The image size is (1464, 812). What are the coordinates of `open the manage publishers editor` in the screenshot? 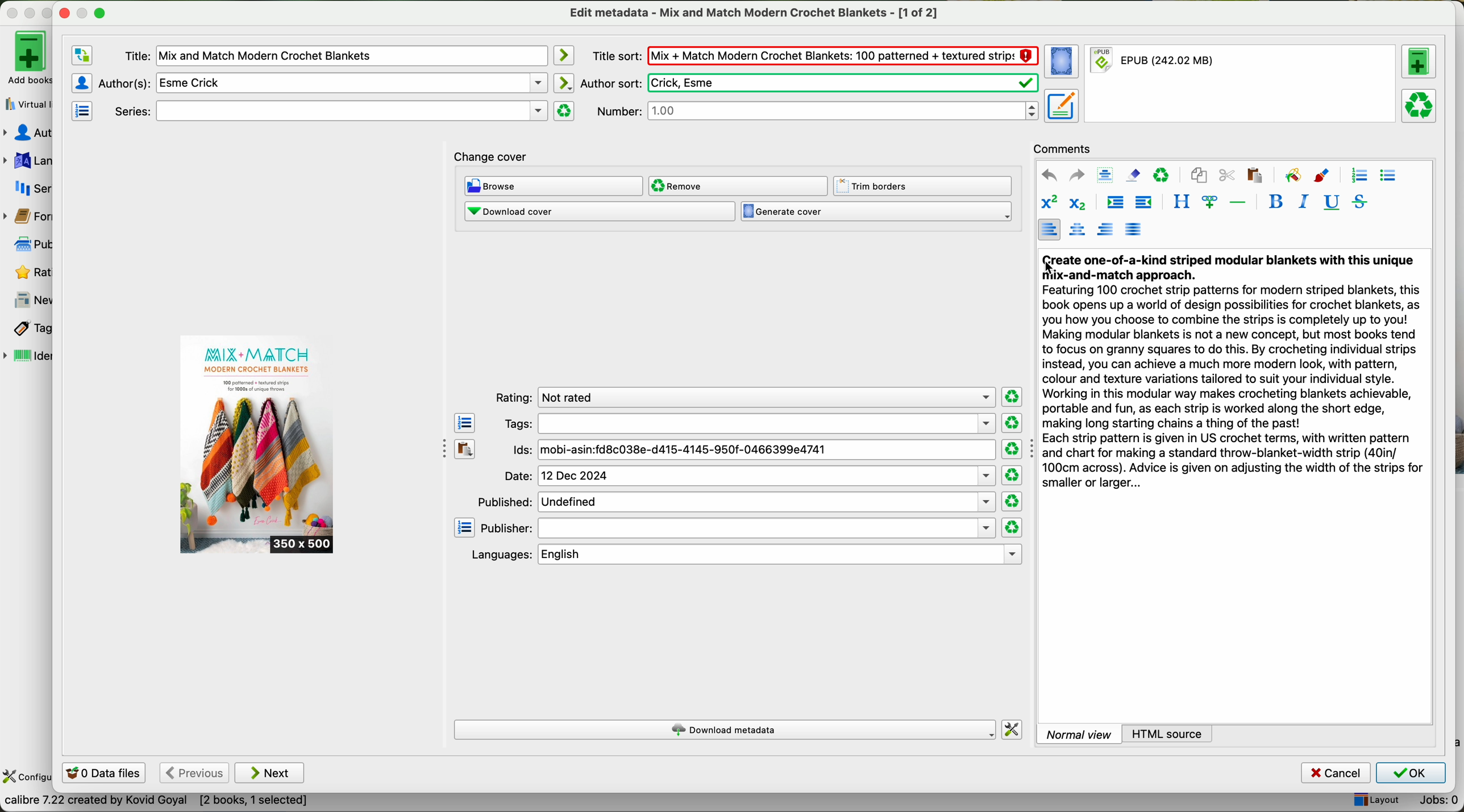 It's located at (465, 528).